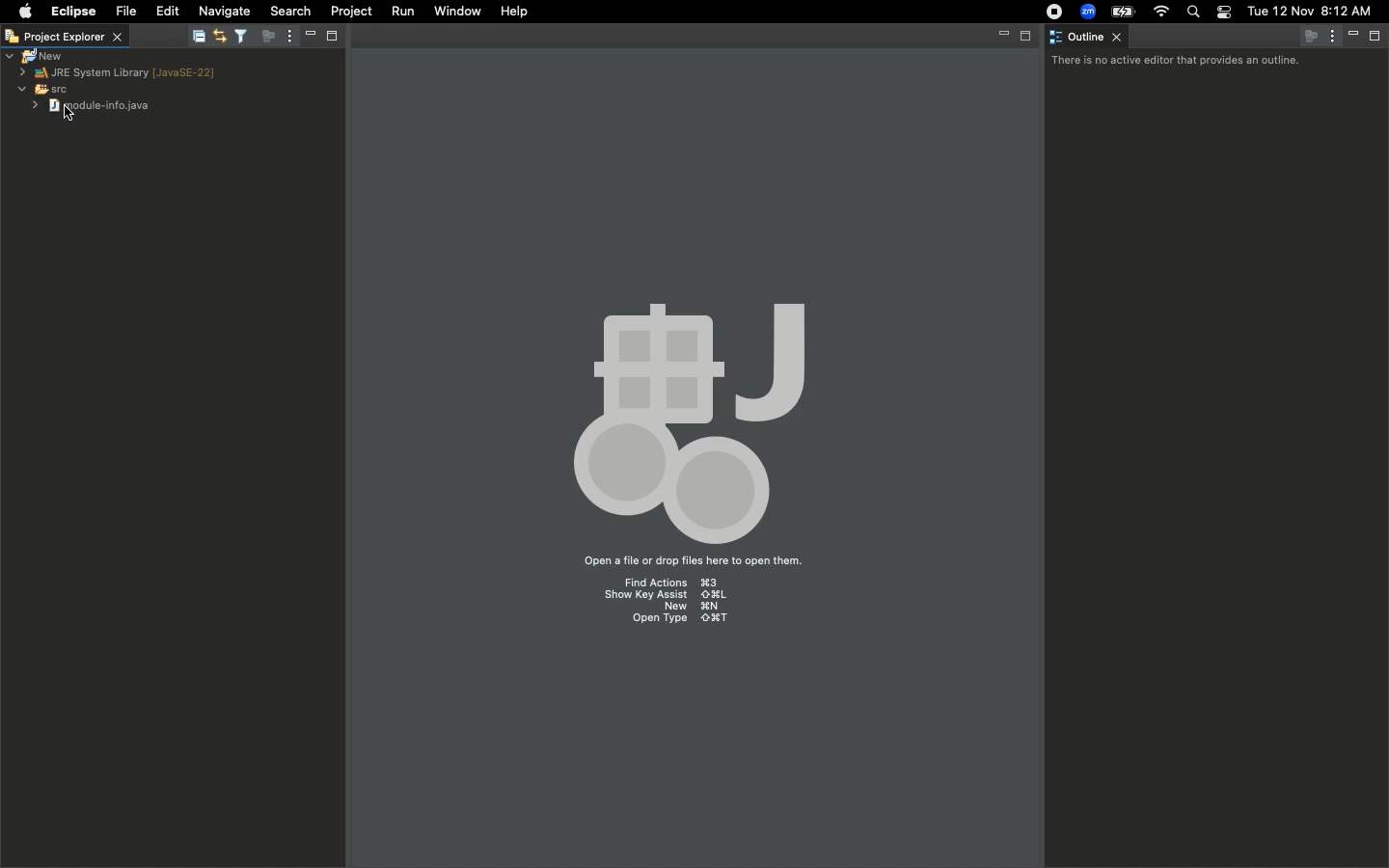  What do you see at coordinates (196, 36) in the screenshot?
I see `Collapse` at bounding box center [196, 36].